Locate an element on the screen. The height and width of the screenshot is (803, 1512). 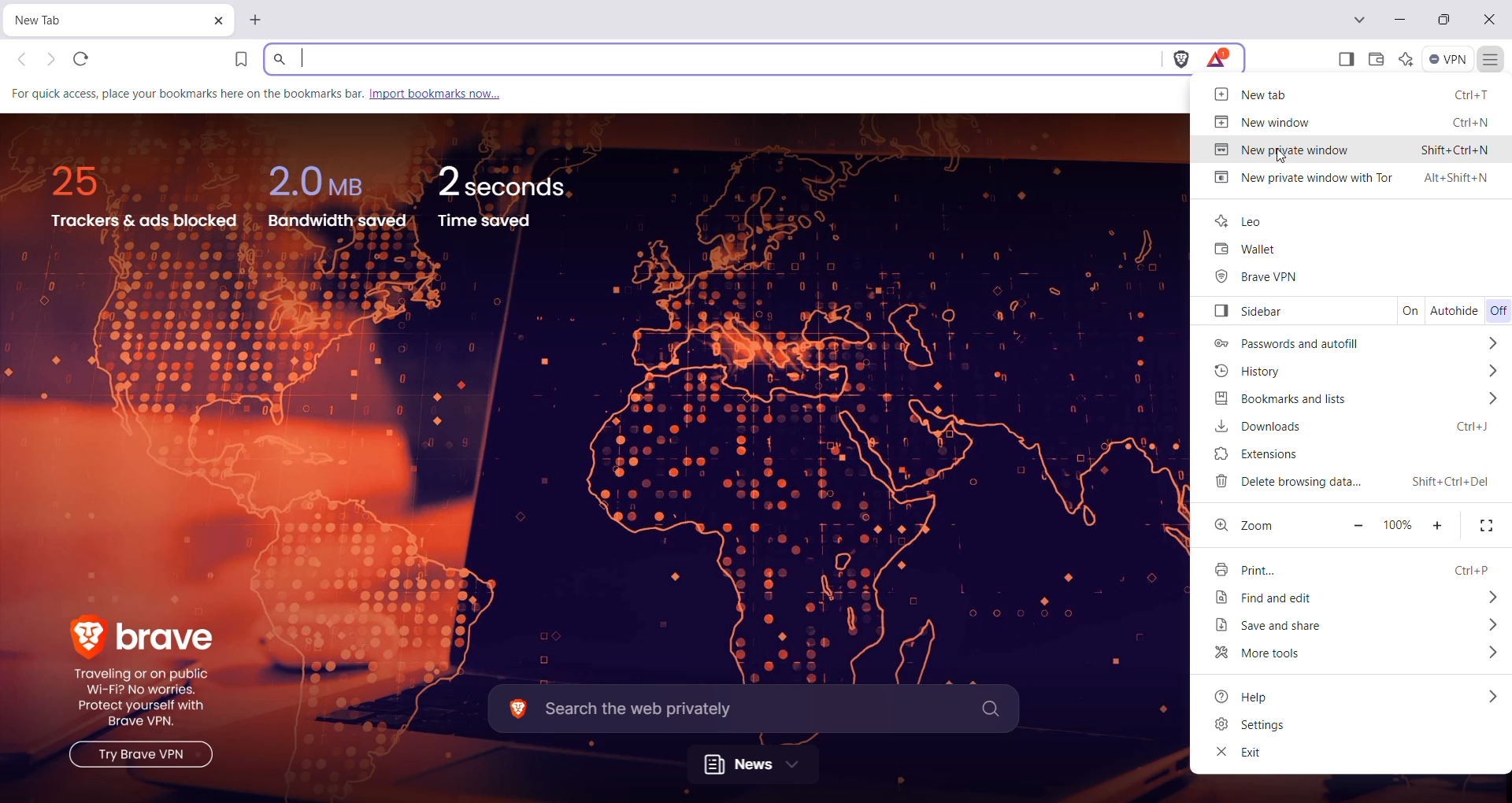
brave traveling or on public wi-fi? no worries, protect yourself with Brave VPN is located at coordinates (137, 690).